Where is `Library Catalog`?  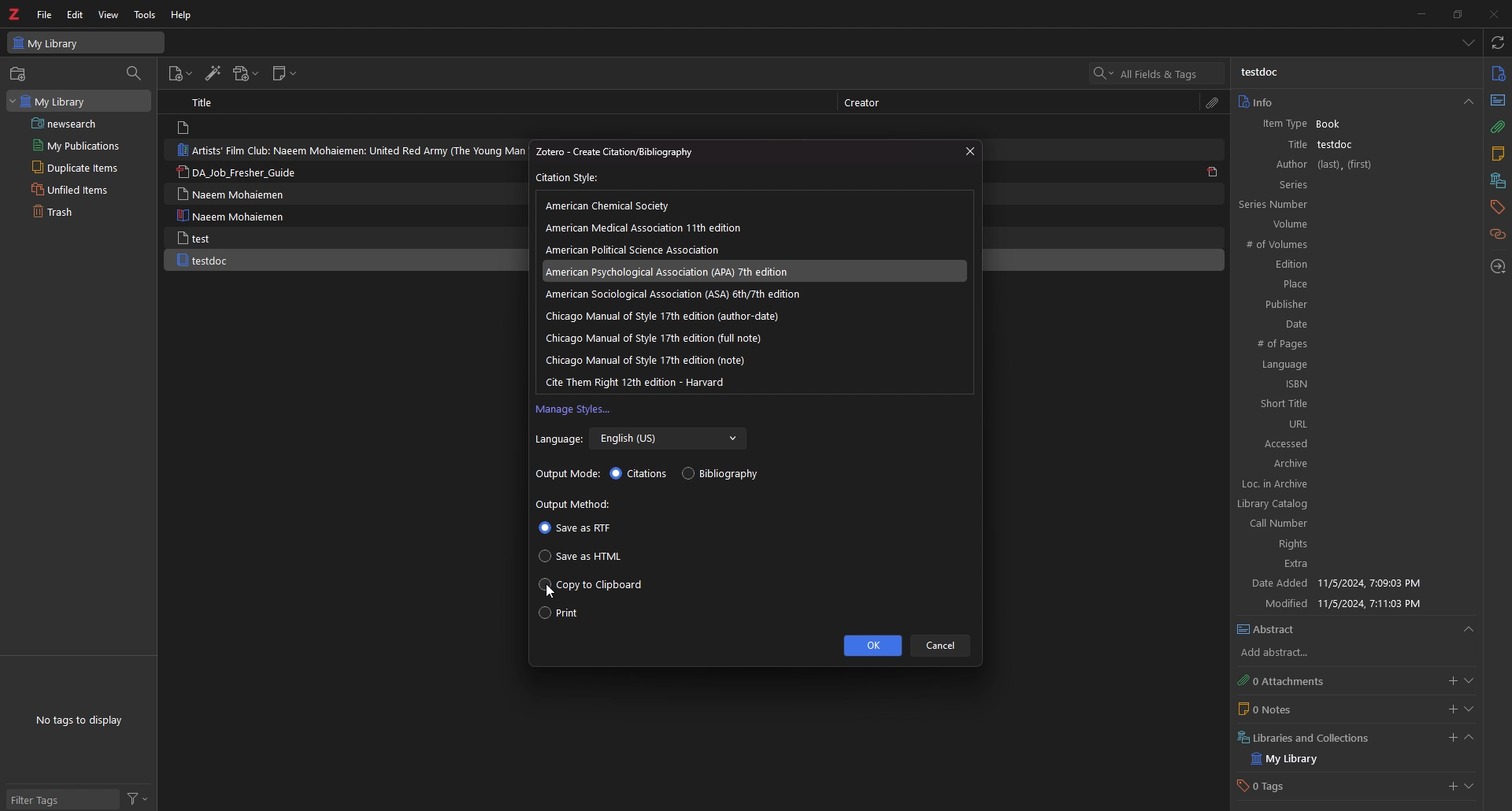 Library Catalog is located at coordinates (1342, 502).